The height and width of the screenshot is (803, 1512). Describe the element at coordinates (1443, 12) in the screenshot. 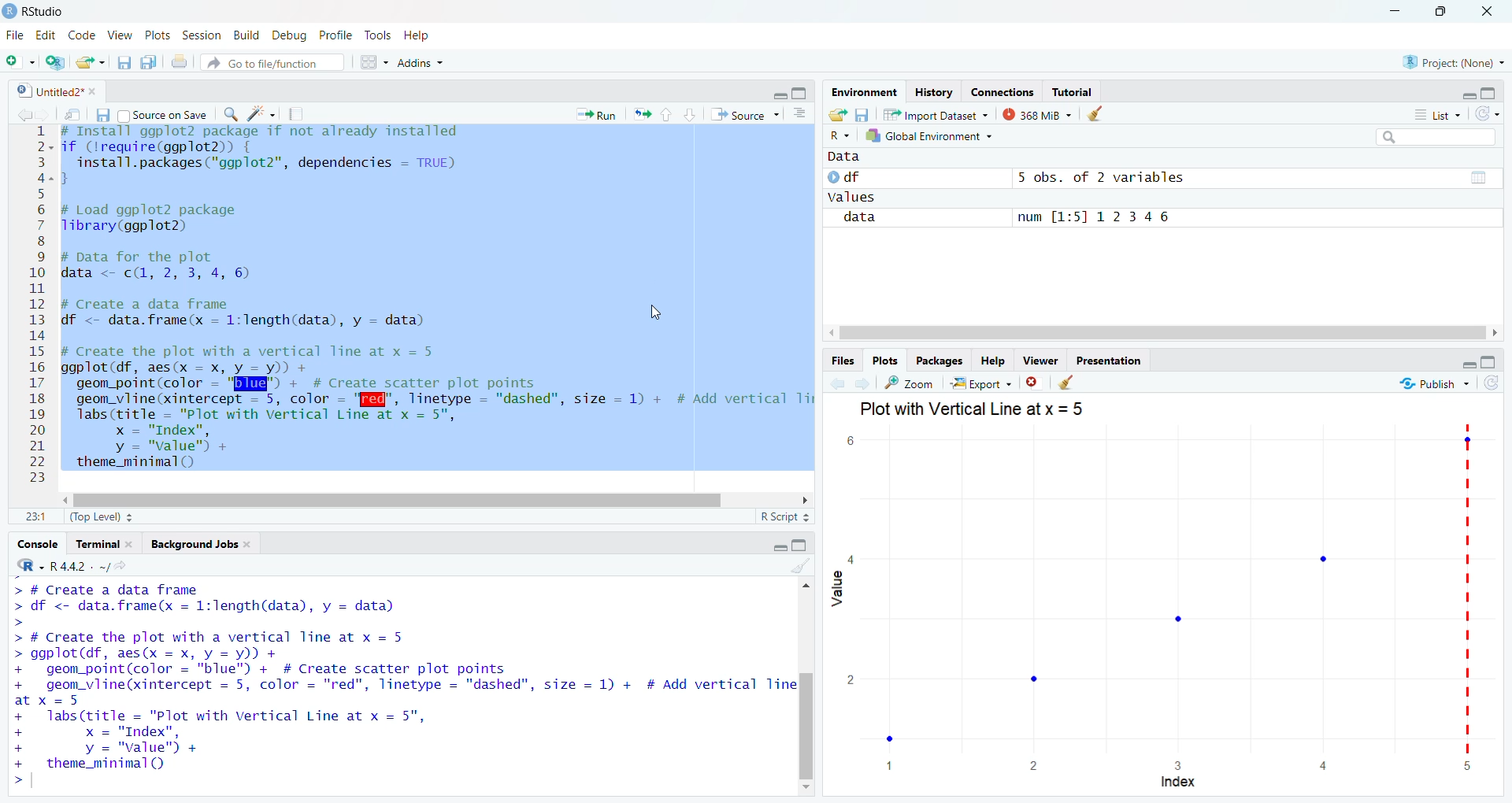

I see `maximise` at that location.